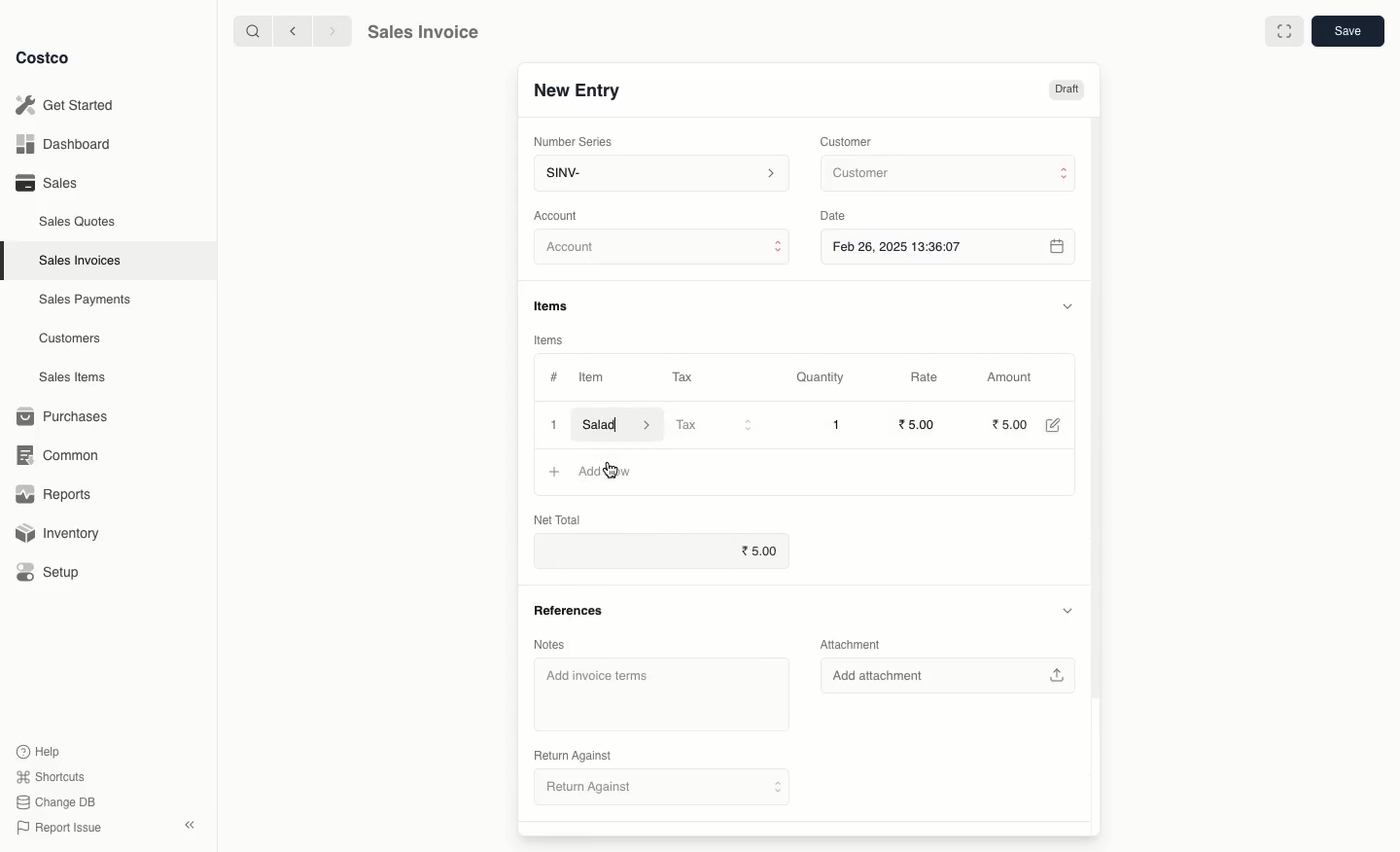  What do you see at coordinates (332, 32) in the screenshot?
I see `Forward` at bounding box center [332, 32].